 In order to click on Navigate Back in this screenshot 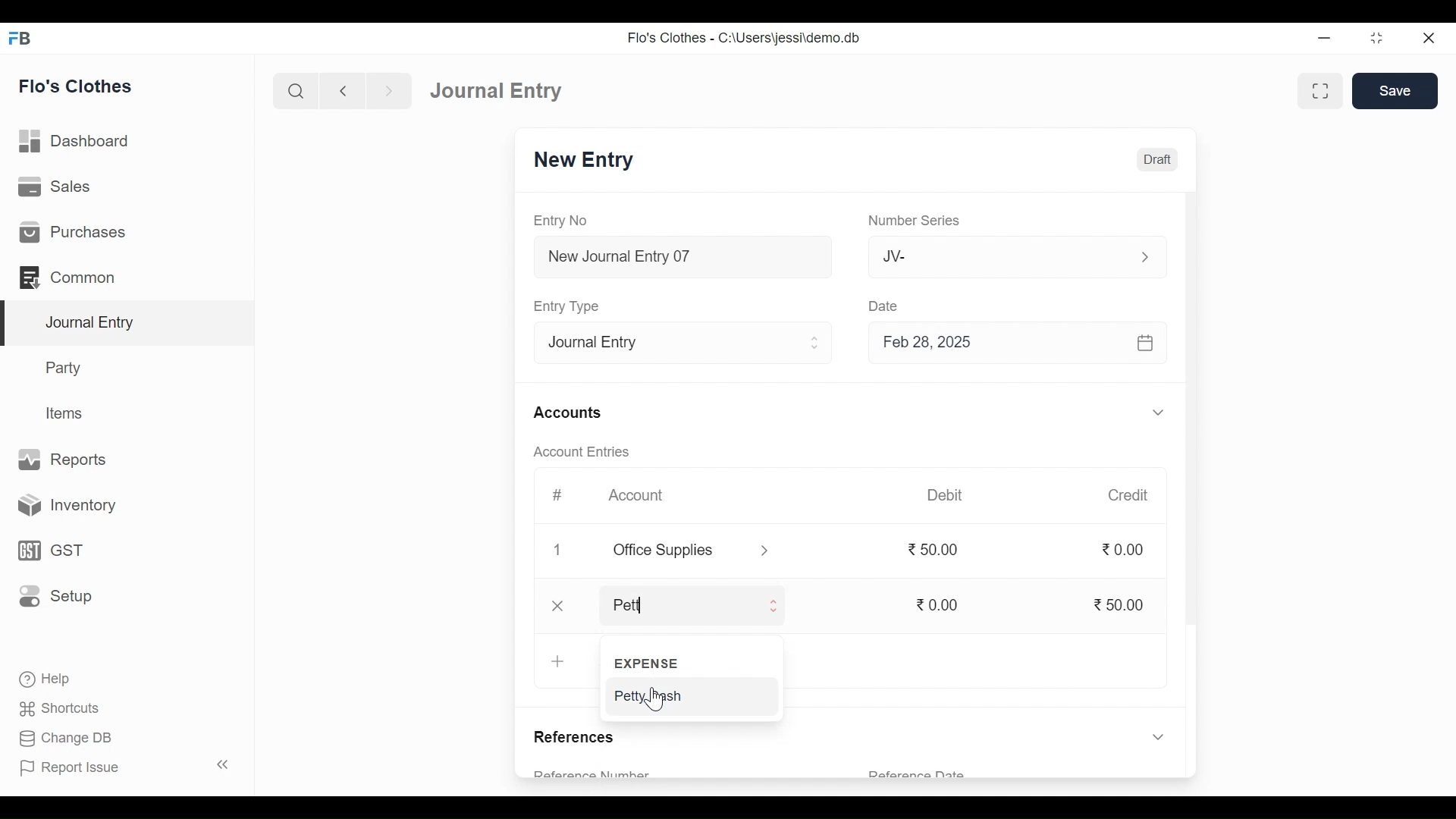, I will do `click(342, 91)`.